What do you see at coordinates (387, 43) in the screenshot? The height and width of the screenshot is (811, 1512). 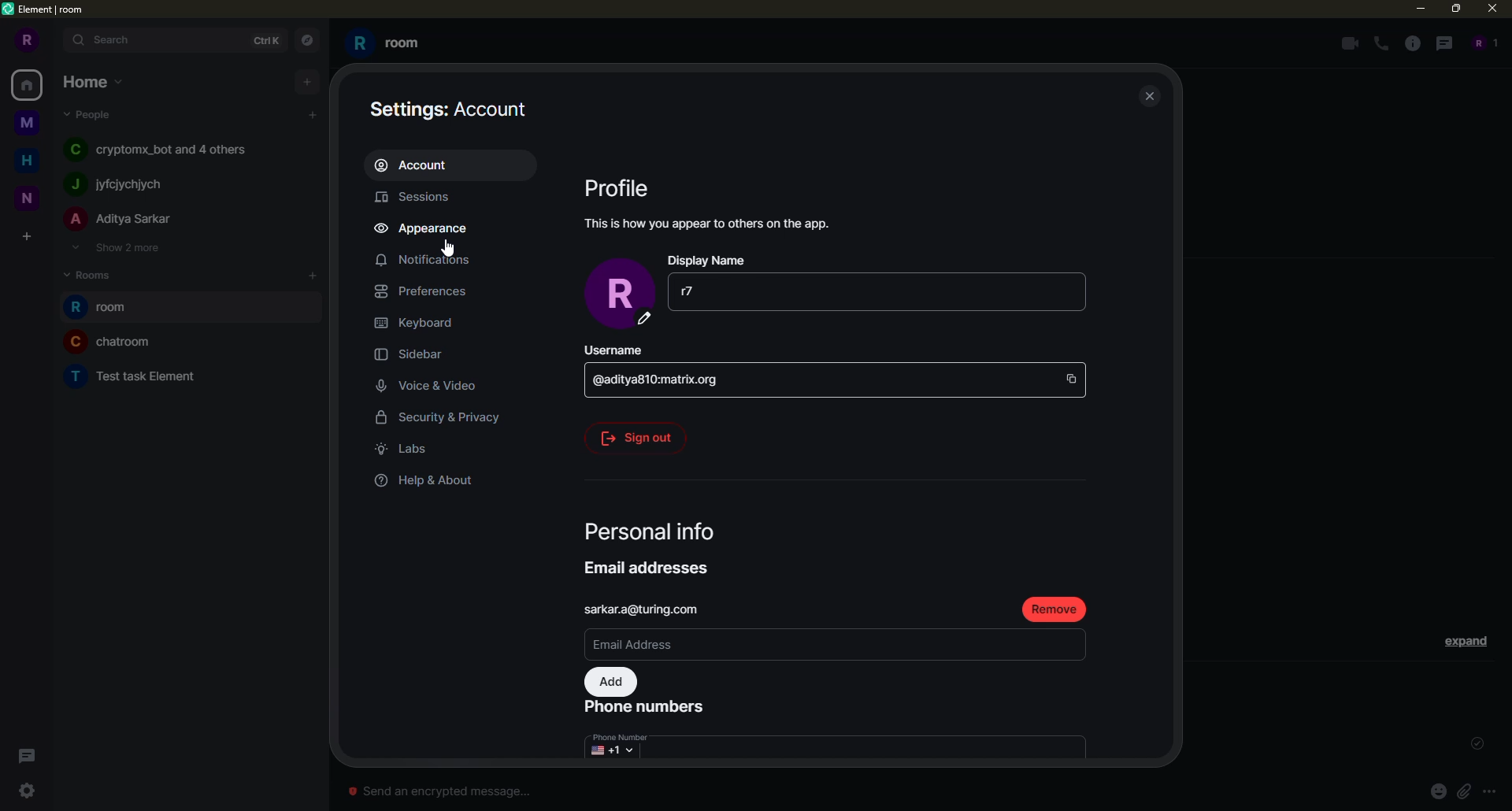 I see `room` at bounding box center [387, 43].